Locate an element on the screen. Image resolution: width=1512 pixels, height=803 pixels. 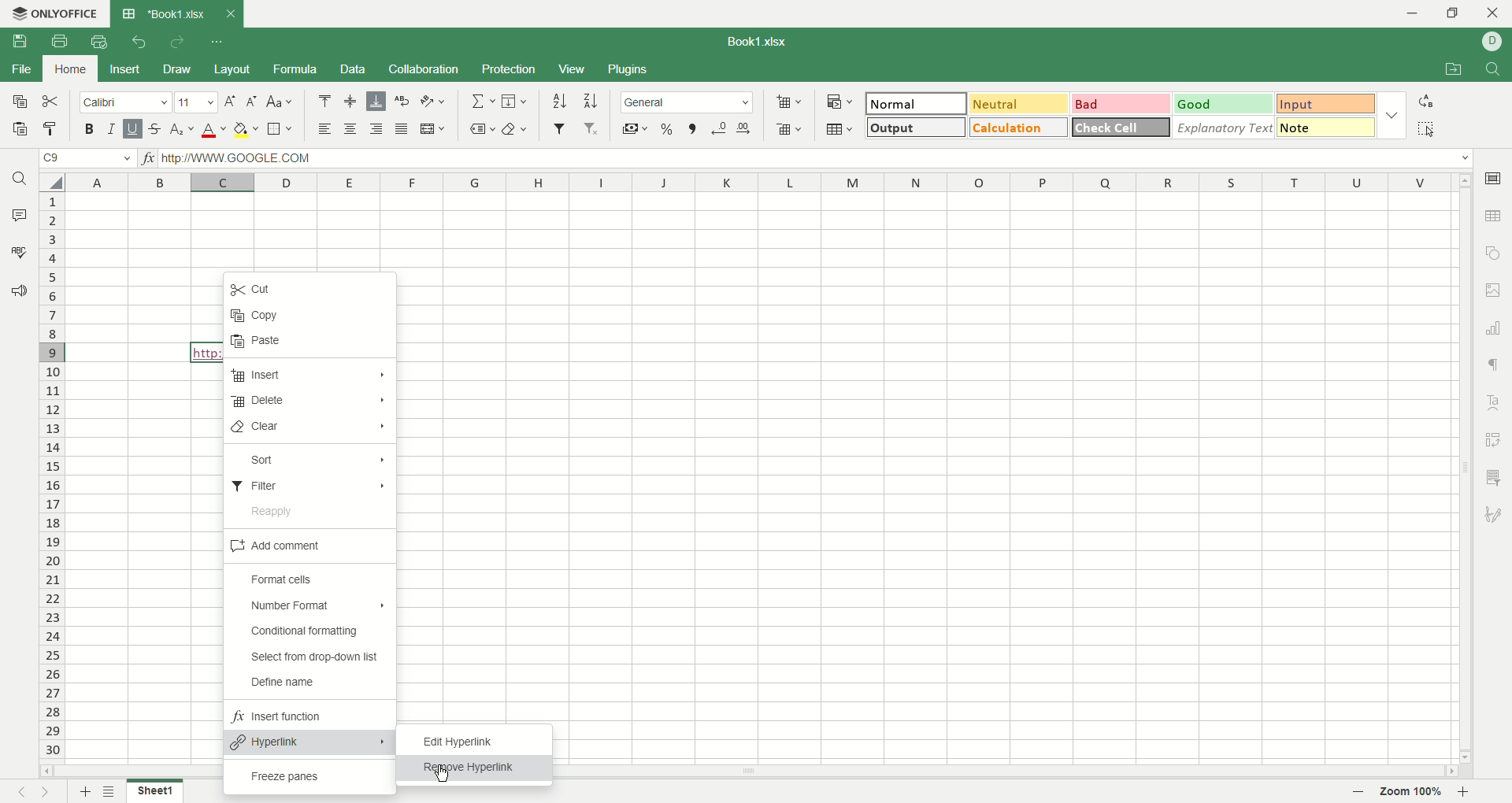
increase decimal is located at coordinates (741, 129).